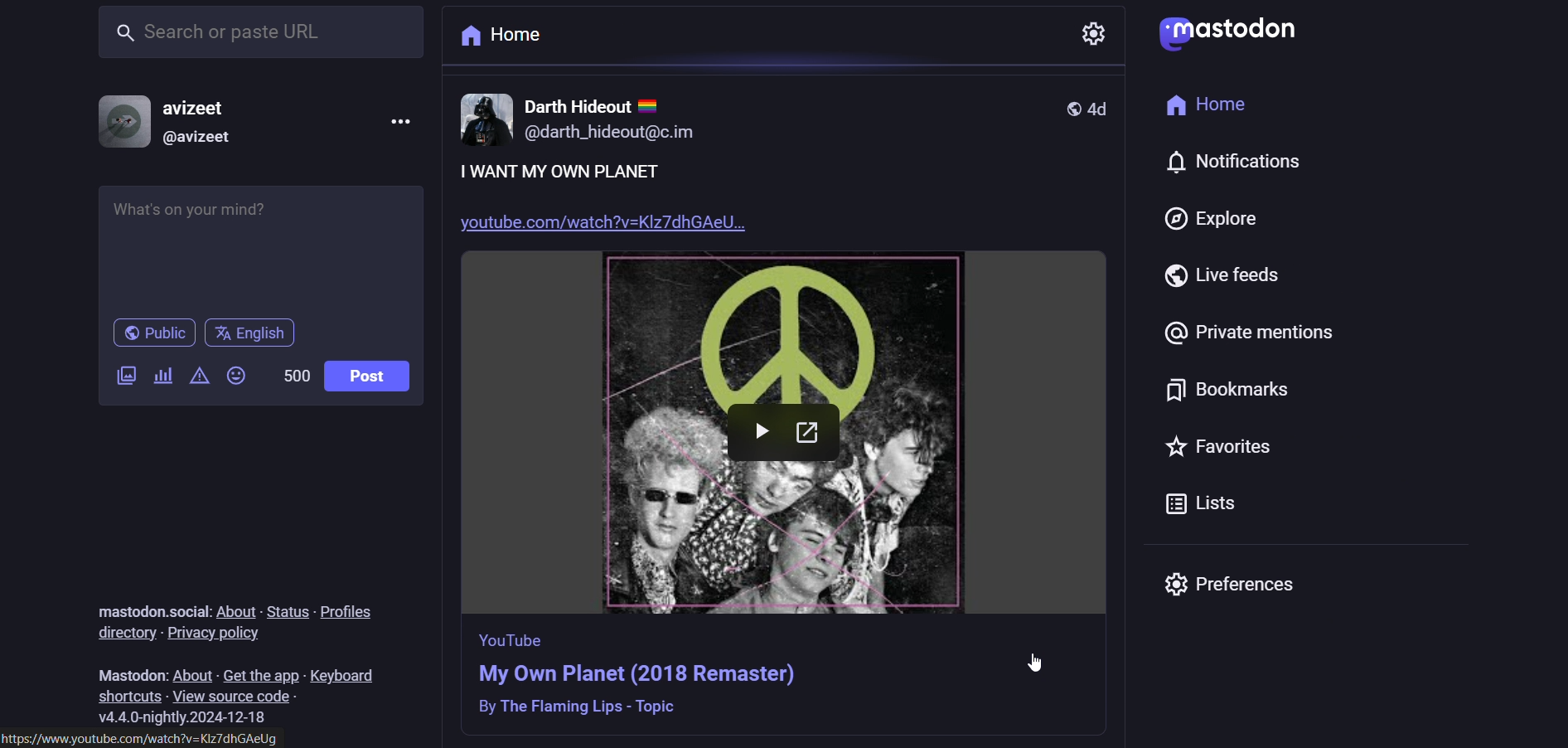  What do you see at coordinates (612, 131) in the screenshot?
I see `@darth_hideout@c.im` at bounding box center [612, 131].